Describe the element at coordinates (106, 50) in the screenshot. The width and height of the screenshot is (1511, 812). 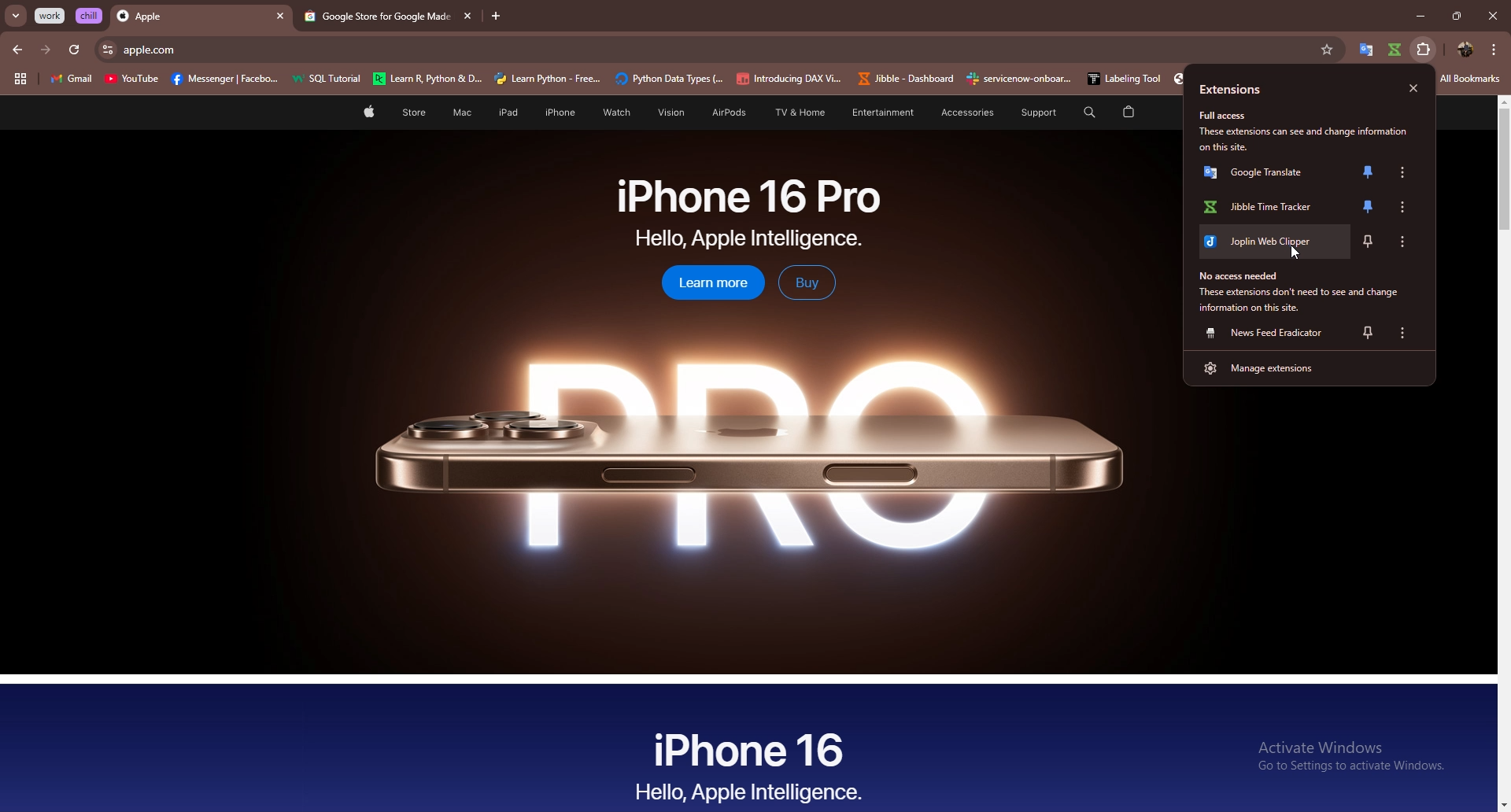
I see `site settings` at that location.